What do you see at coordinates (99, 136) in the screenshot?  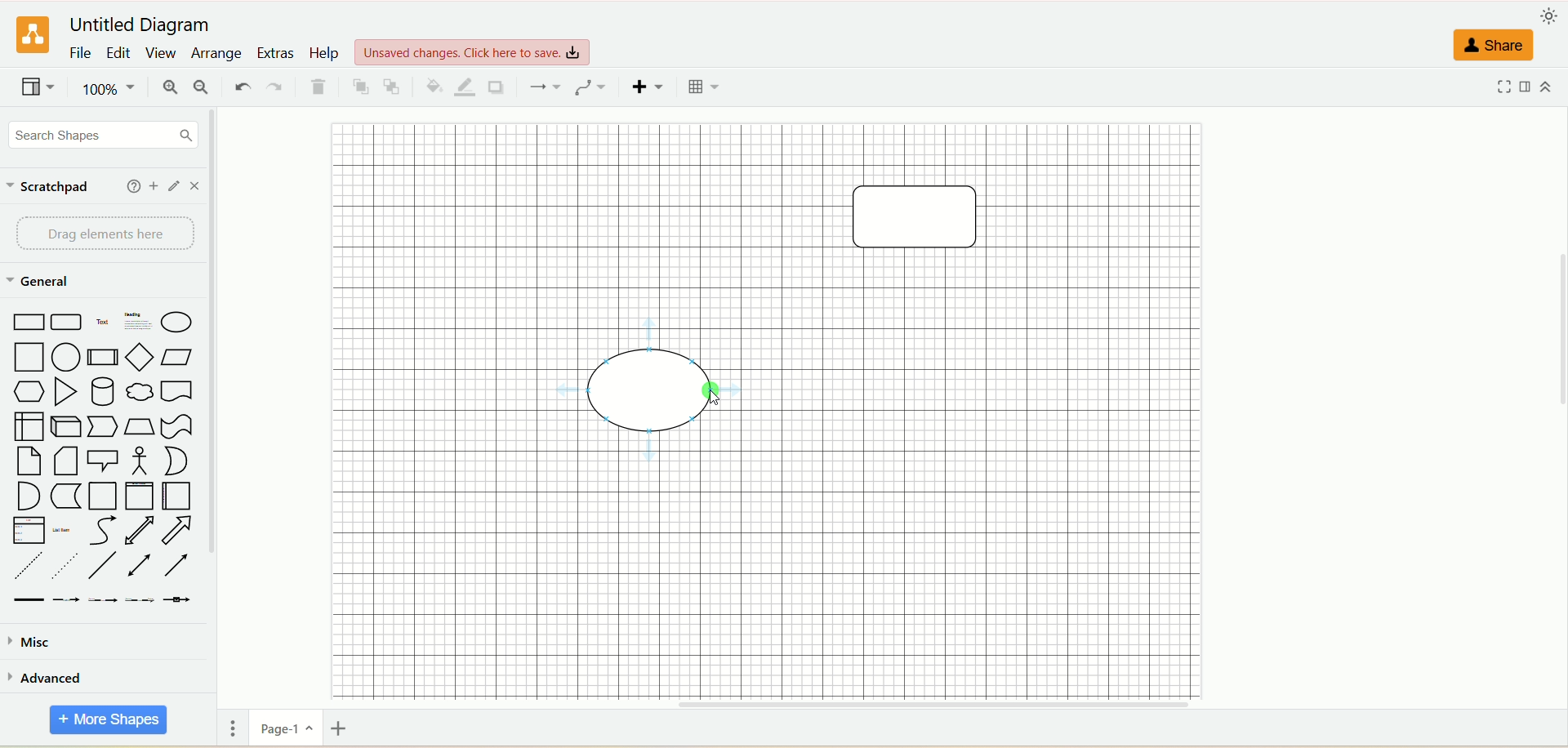 I see `search shapes` at bounding box center [99, 136].